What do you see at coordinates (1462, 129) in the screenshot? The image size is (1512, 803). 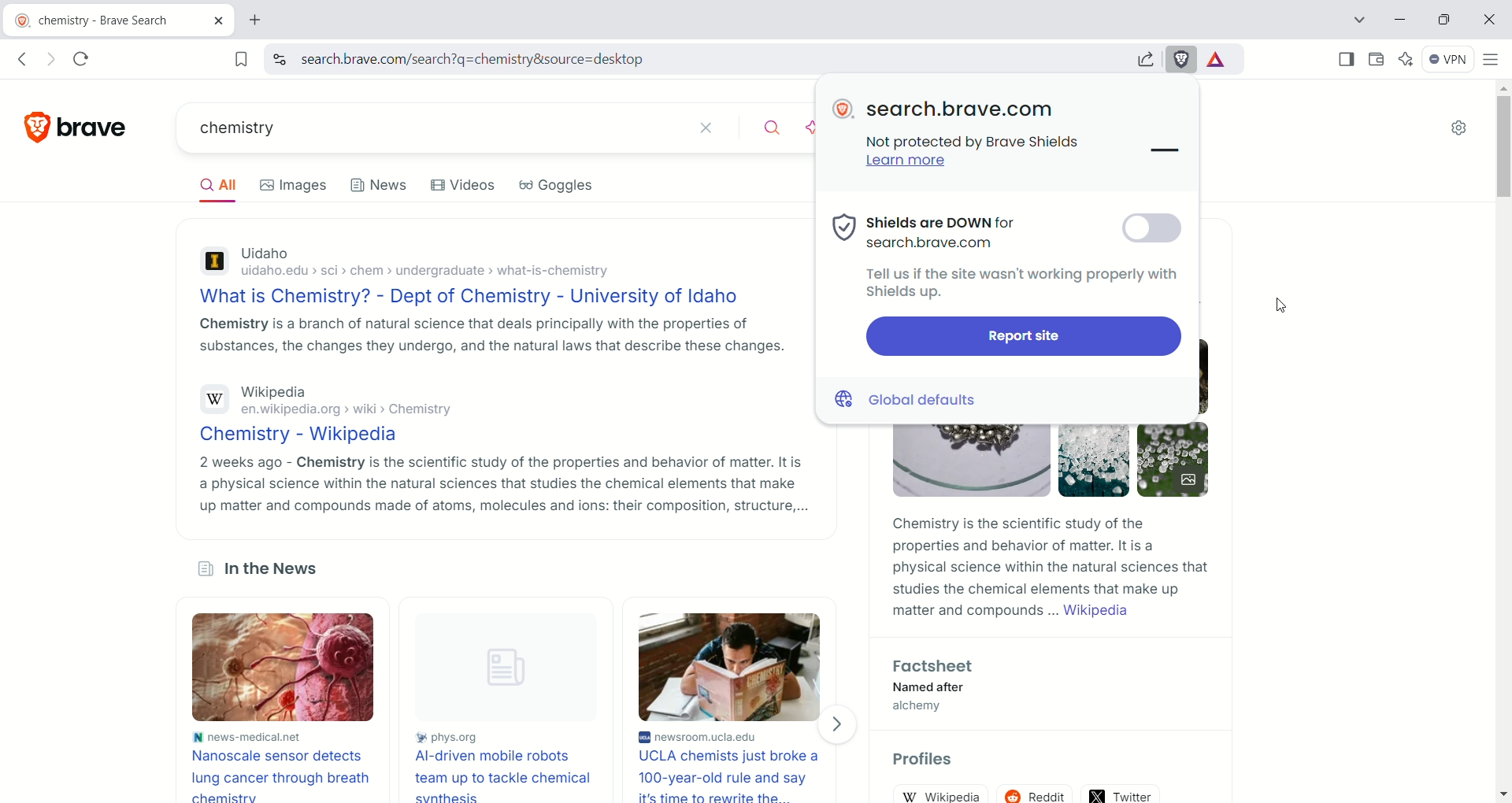 I see `settings` at bounding box center [1462, 129].